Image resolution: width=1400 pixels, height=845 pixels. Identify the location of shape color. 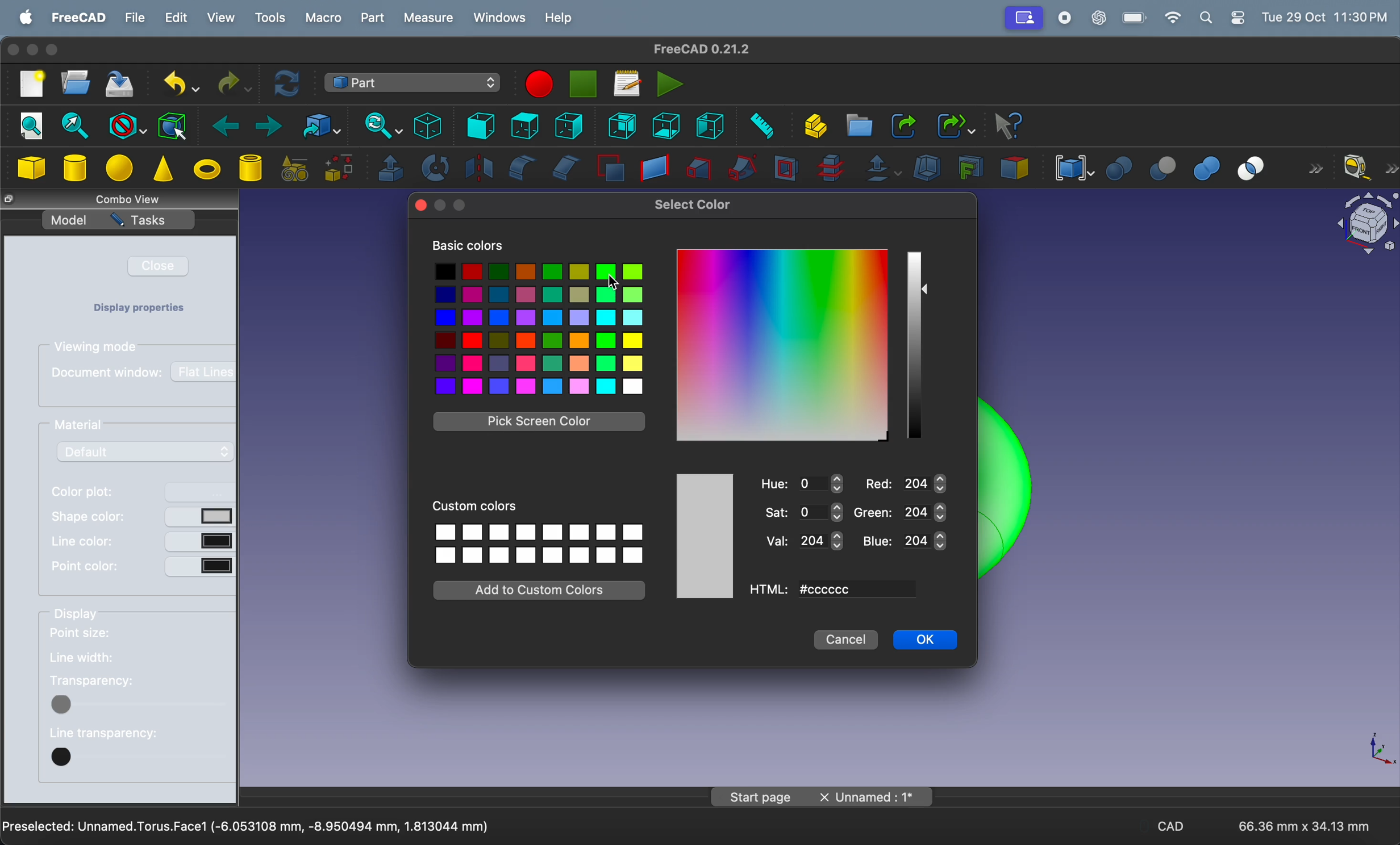
(88, 517).